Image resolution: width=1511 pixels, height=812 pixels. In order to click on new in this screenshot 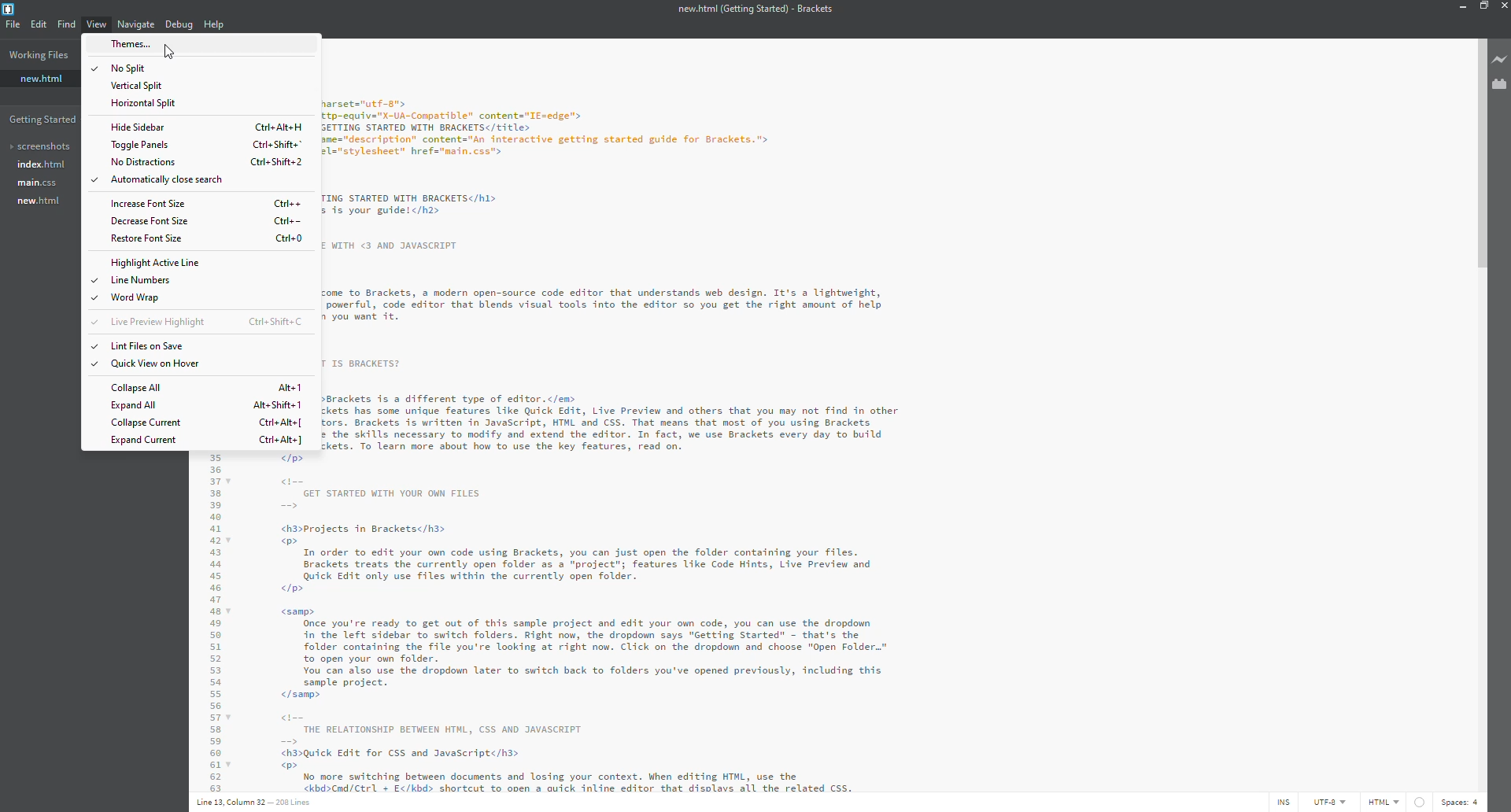, I will do `click(36, 201)`.